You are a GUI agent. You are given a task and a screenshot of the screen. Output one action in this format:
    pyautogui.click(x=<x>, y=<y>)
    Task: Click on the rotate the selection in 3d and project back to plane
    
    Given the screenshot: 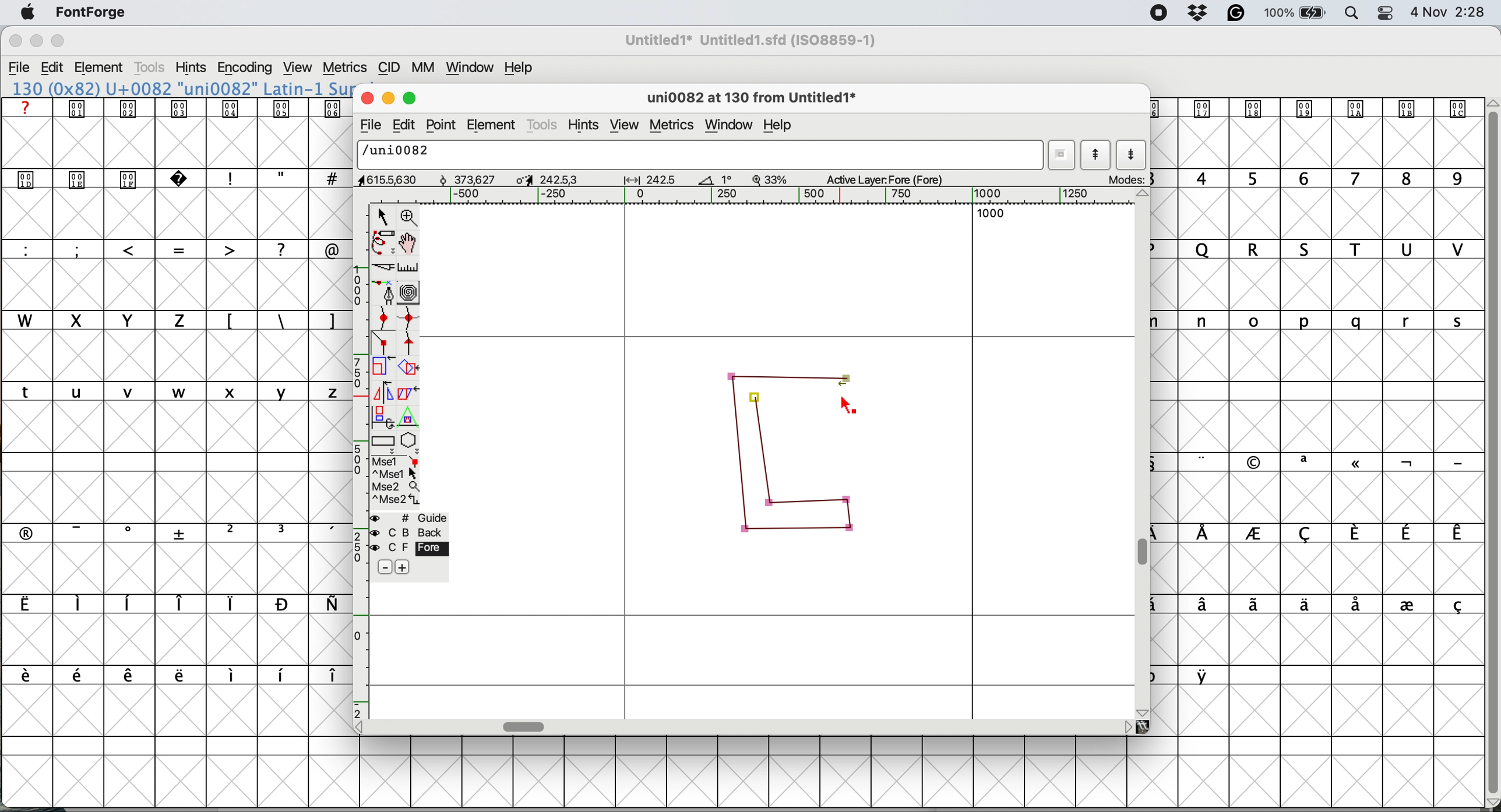 What is the action you would take?
    pyautogui.click(x=382, y=416)
    